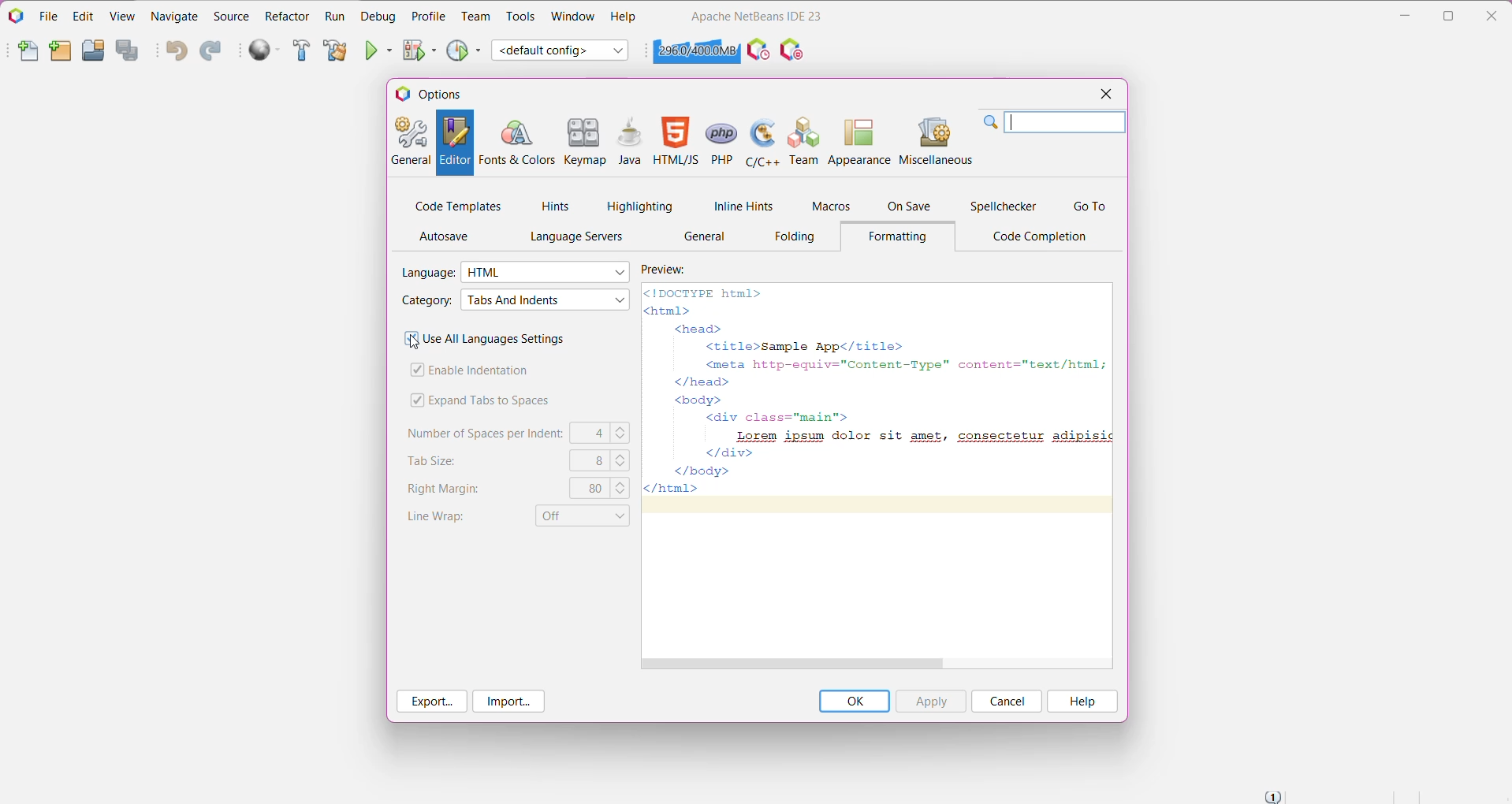  What do you see at coordinates (672, 311) in the screenshot?
I see `<html>` at bounding box center [672, 311].